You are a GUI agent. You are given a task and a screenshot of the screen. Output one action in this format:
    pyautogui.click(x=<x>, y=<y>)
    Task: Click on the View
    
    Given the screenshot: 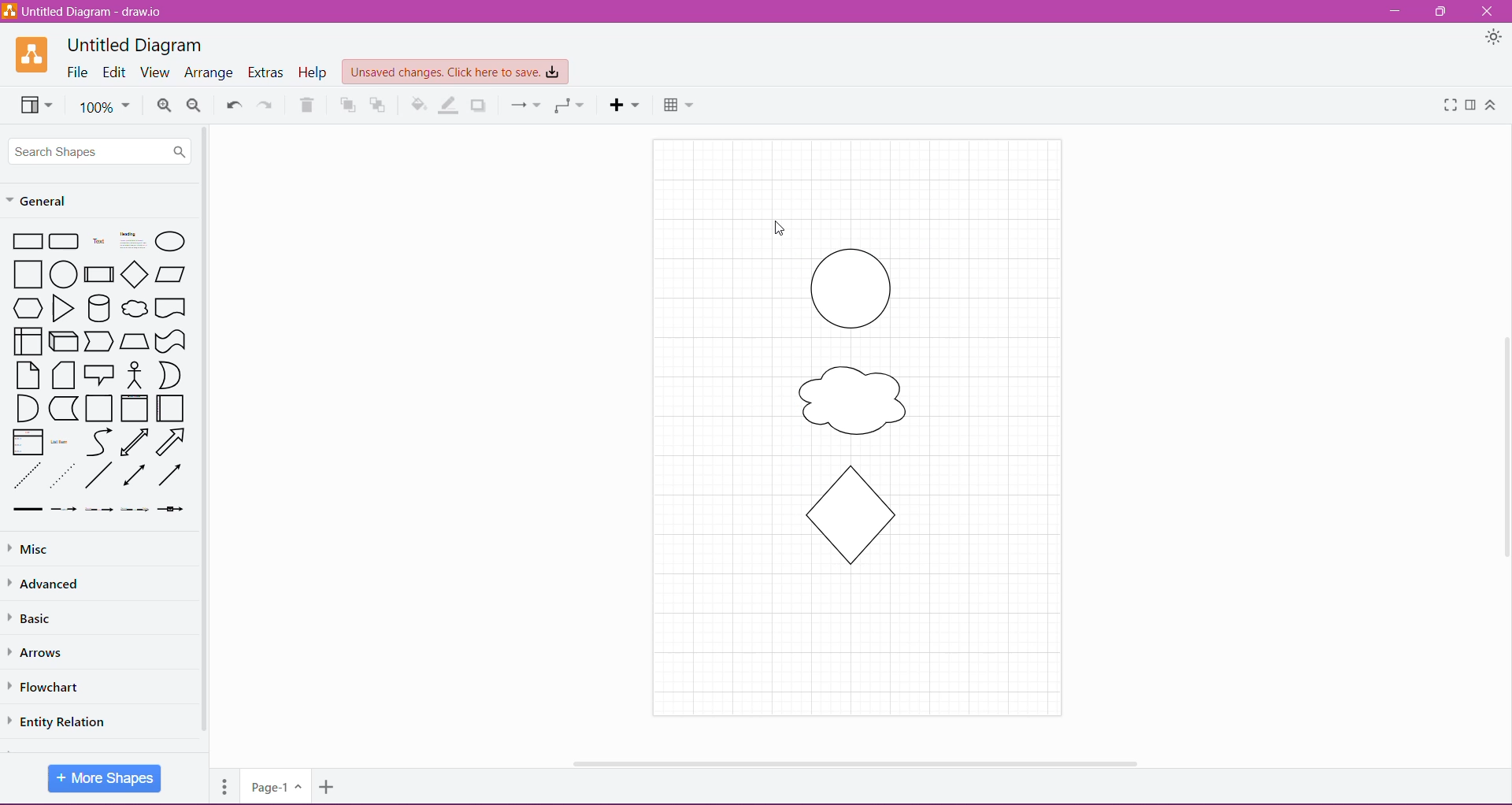 What is the action you would take?
    pyautogui.click(x=33, y=104)
    